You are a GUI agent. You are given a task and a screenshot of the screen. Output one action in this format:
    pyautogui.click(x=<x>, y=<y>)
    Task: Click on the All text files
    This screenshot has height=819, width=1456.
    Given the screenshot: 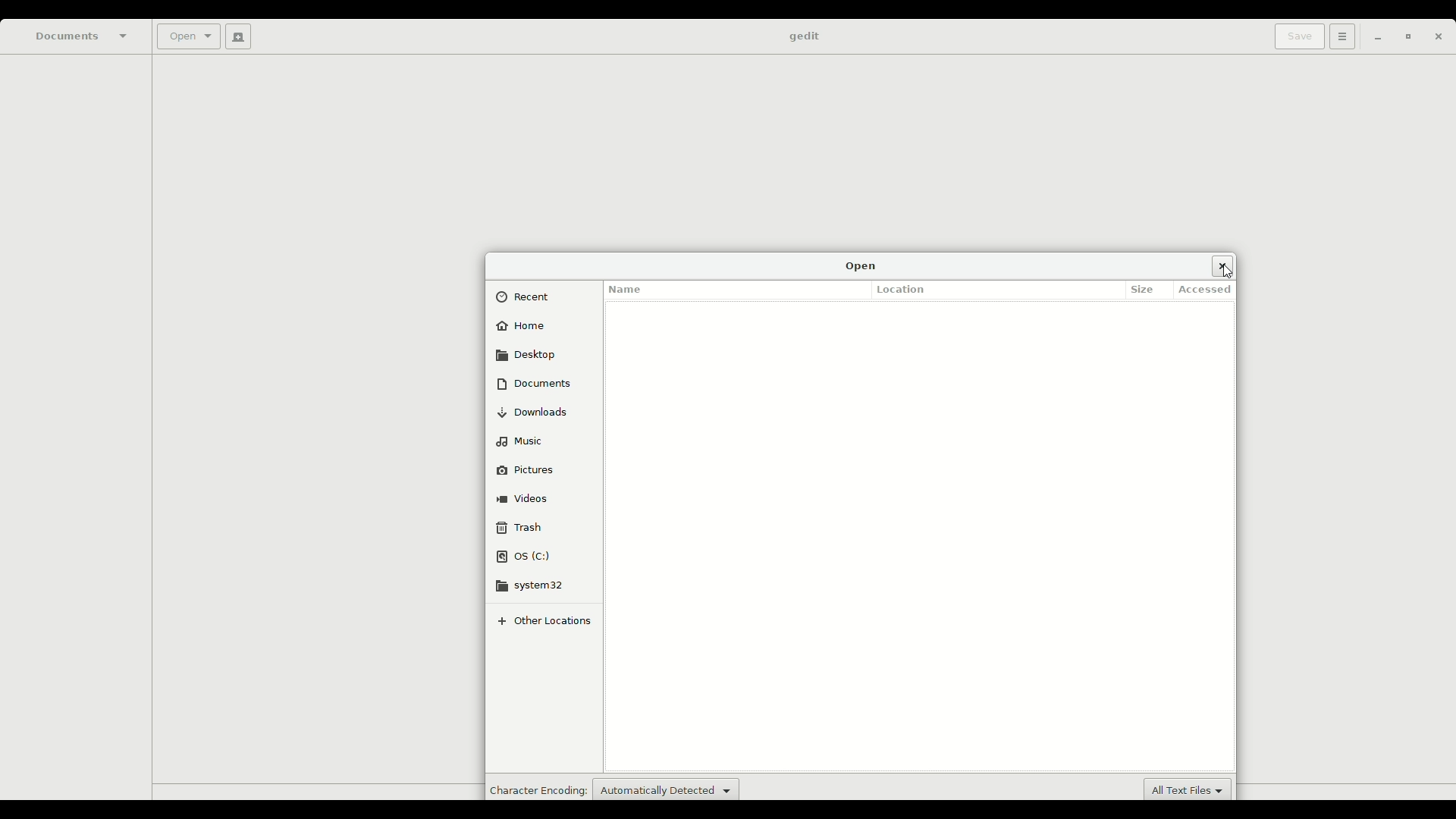 What is the action you would take?
    pyautogui.click(x=1190, y=789)
    